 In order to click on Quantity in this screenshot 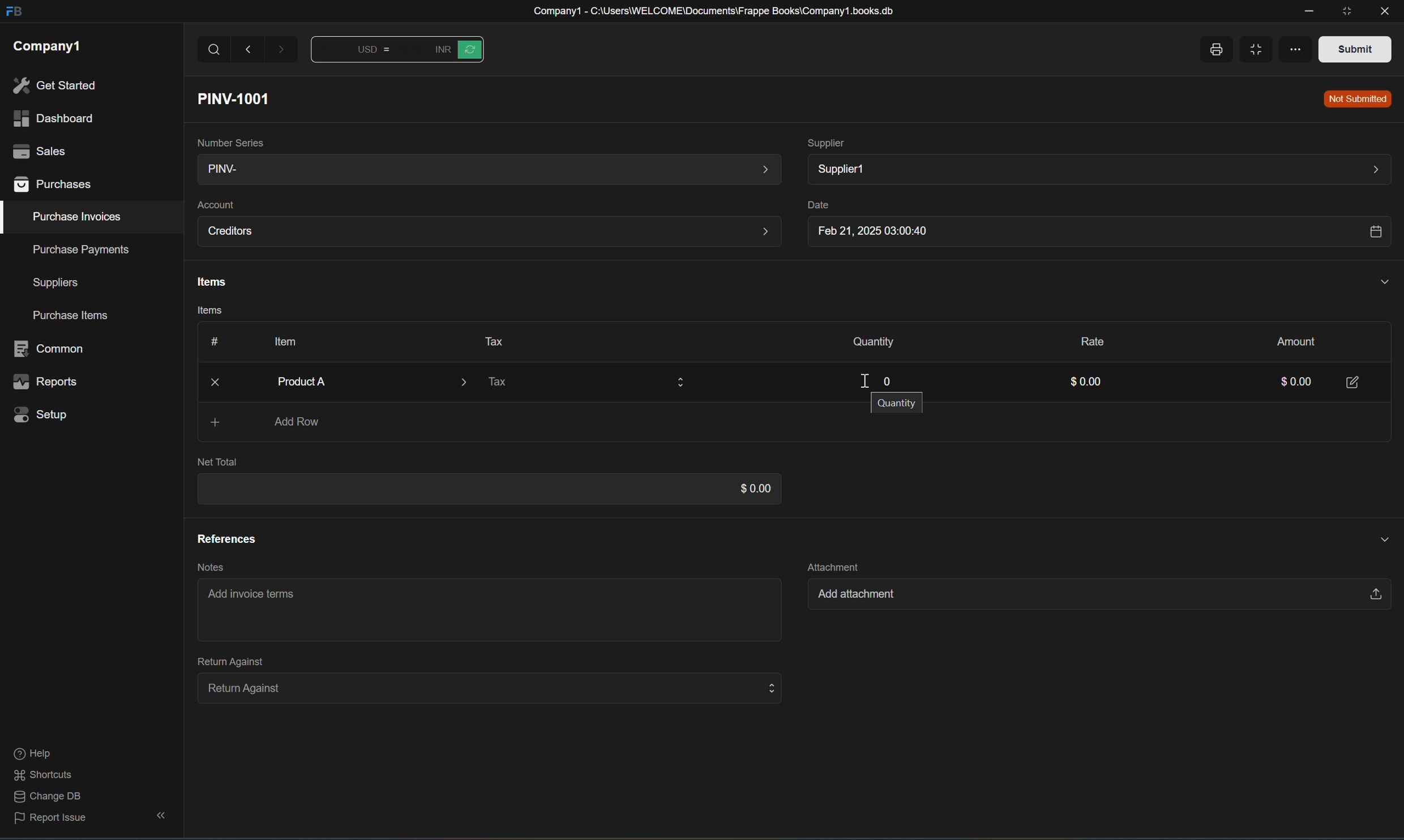, I will do `click(867, 342)`.